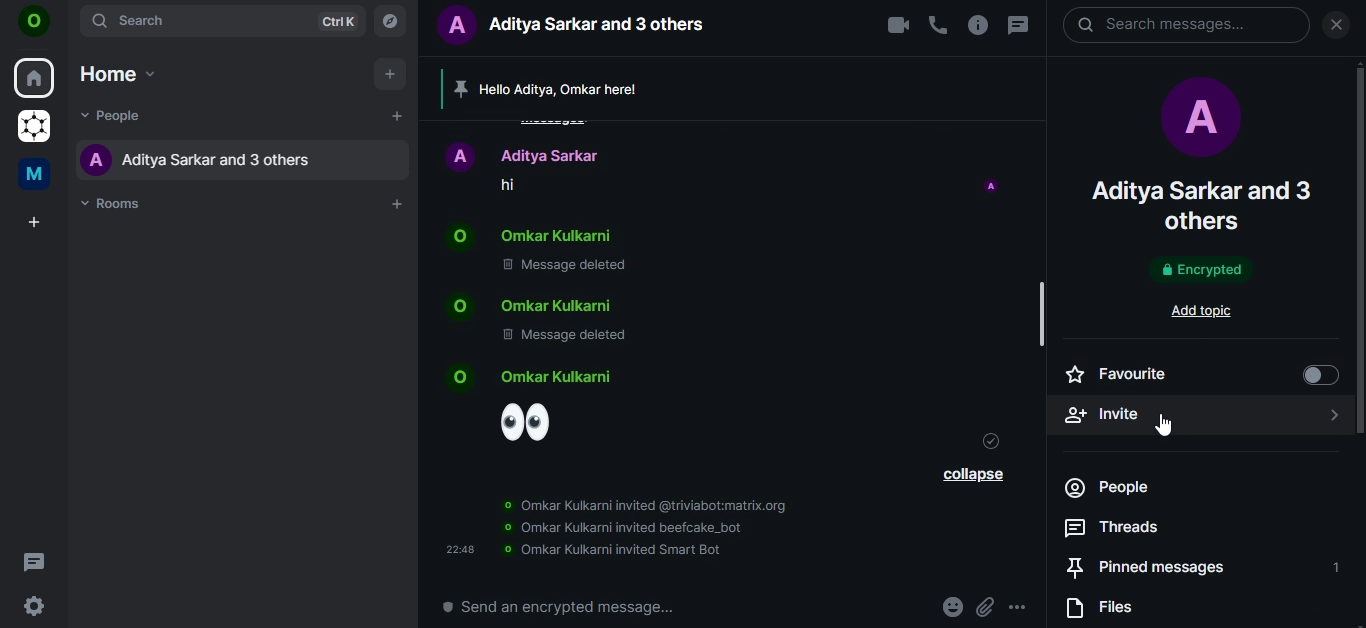 The height and width of the screenshot is (628, 1366). Describe the element at coordinates (581, 26) in the screenshot. I see `aditya sarkar and 3 others` at that location.